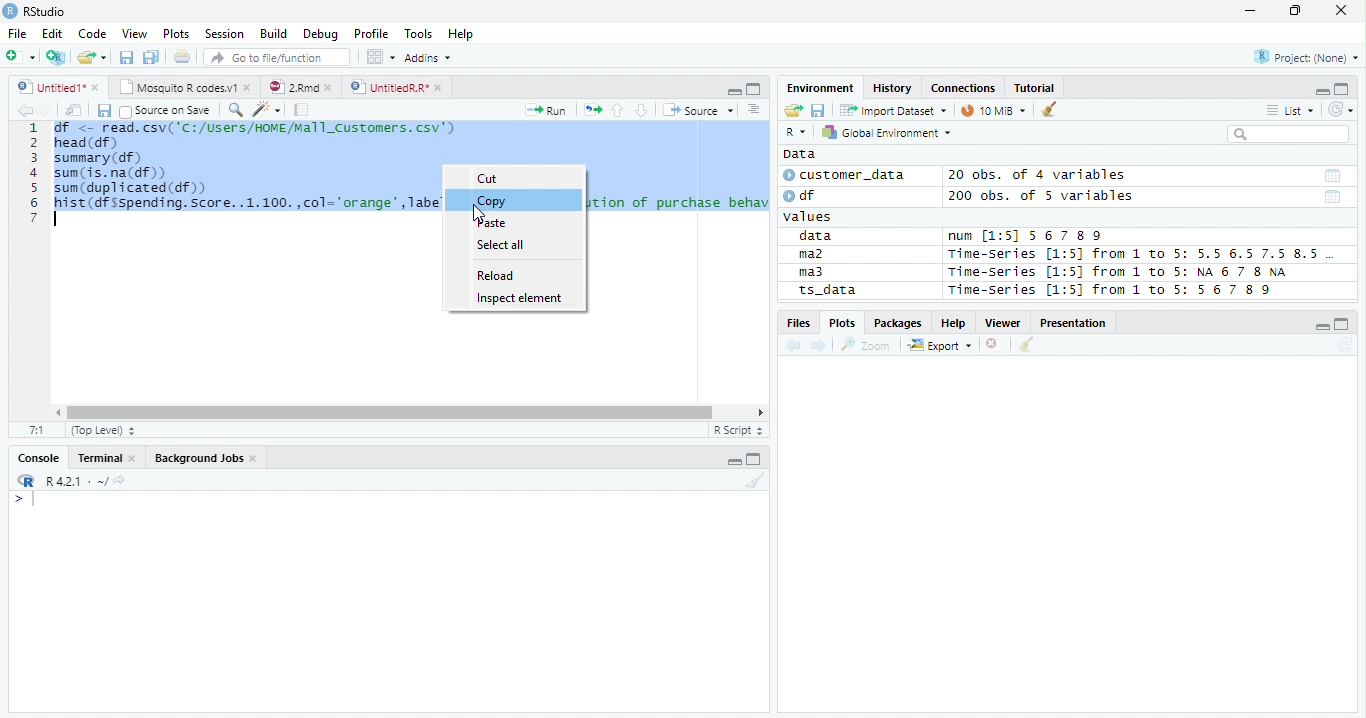 The image size is (1366, 718). What do you see at coordinates (897, 324) in the screenshot?
I see `Packages` at bounding box center [897, 324].